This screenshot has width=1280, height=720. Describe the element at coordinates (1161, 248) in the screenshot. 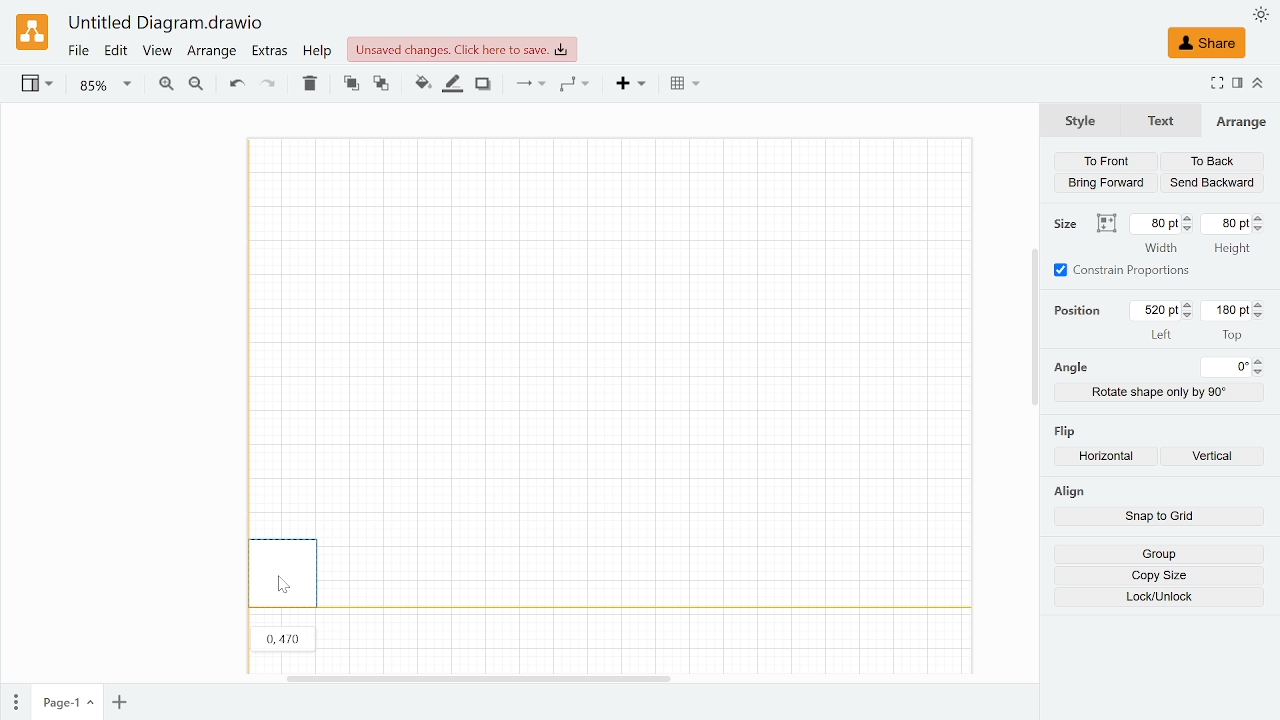

I see `width` at that location.